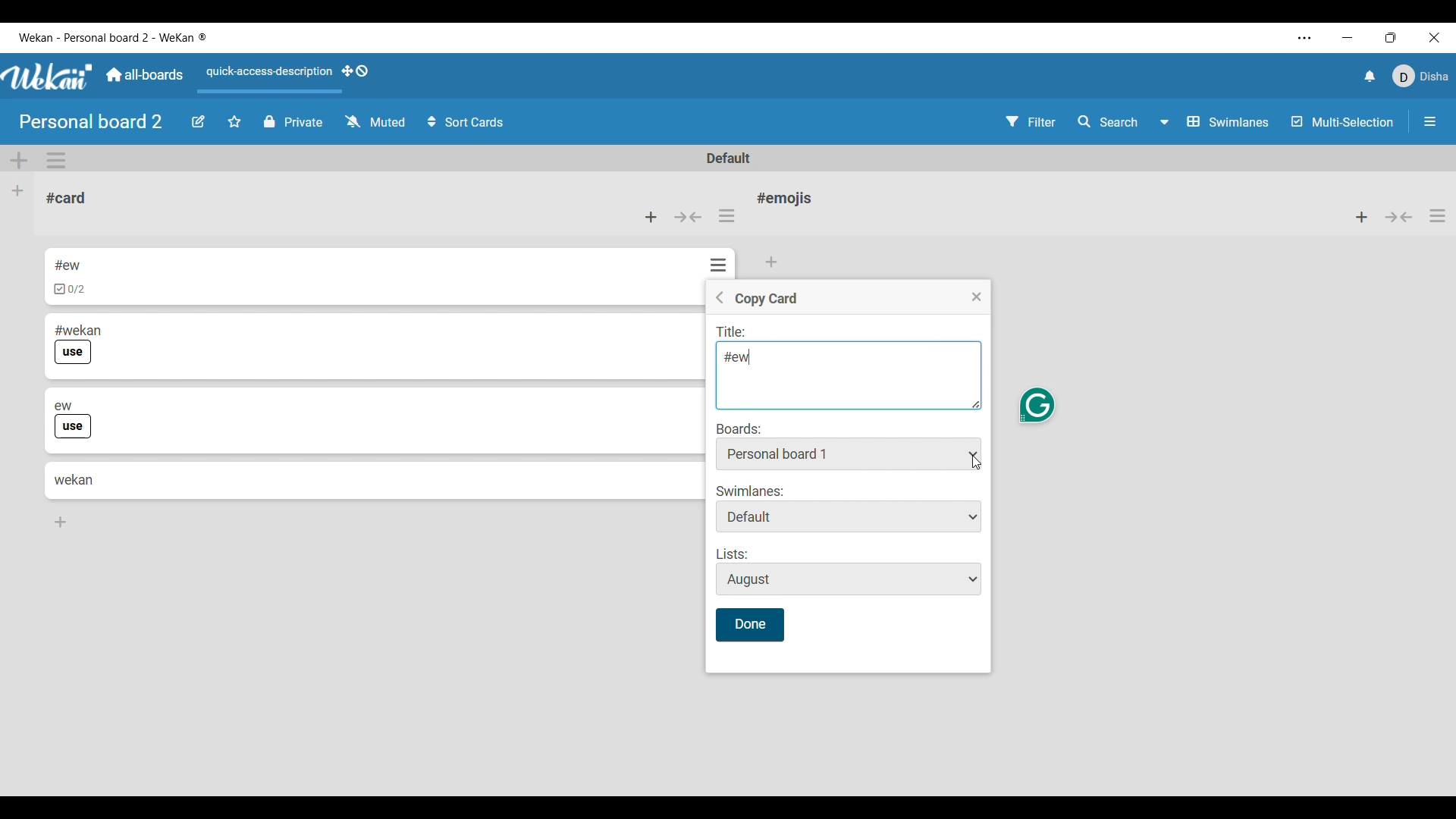 The height and width of the screenshot is (819, 1456). I want to click on Go to main dashboard, so click(143, 75).